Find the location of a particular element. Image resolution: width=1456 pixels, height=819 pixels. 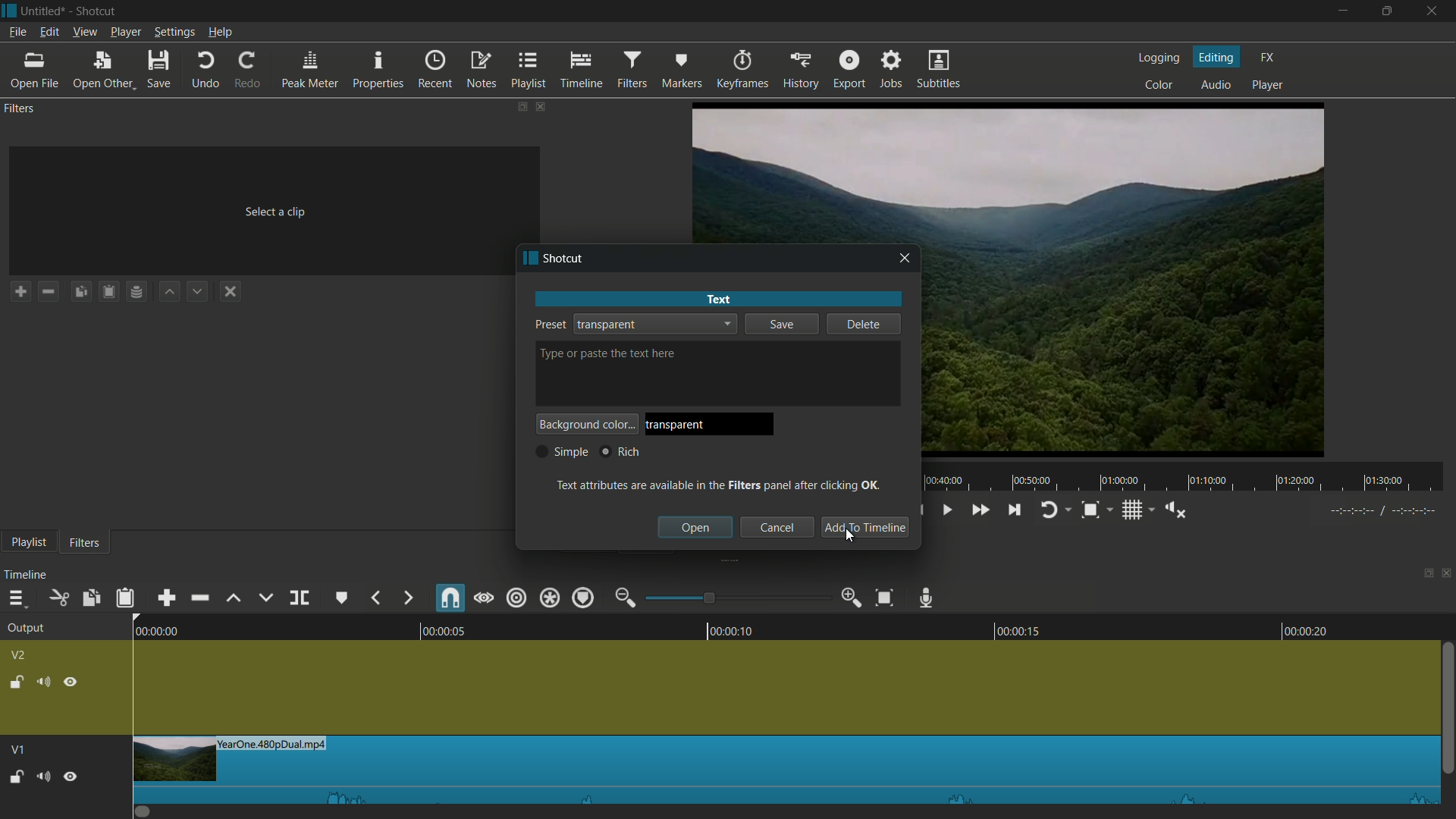

view menu is located at coordinates (86, 32).